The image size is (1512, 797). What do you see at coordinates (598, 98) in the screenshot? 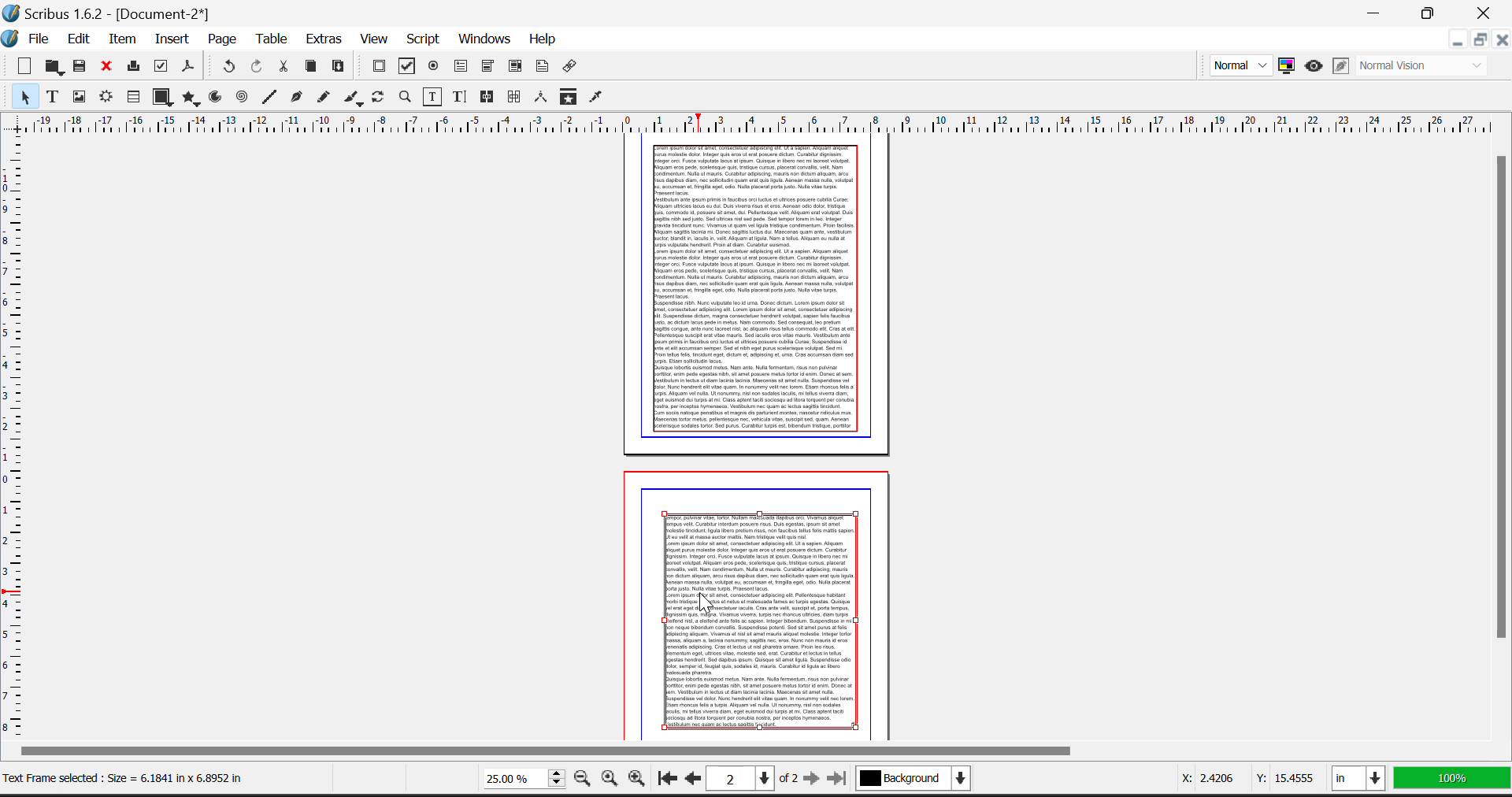
I see `Eyedropper` at bounding box center [598, 98].